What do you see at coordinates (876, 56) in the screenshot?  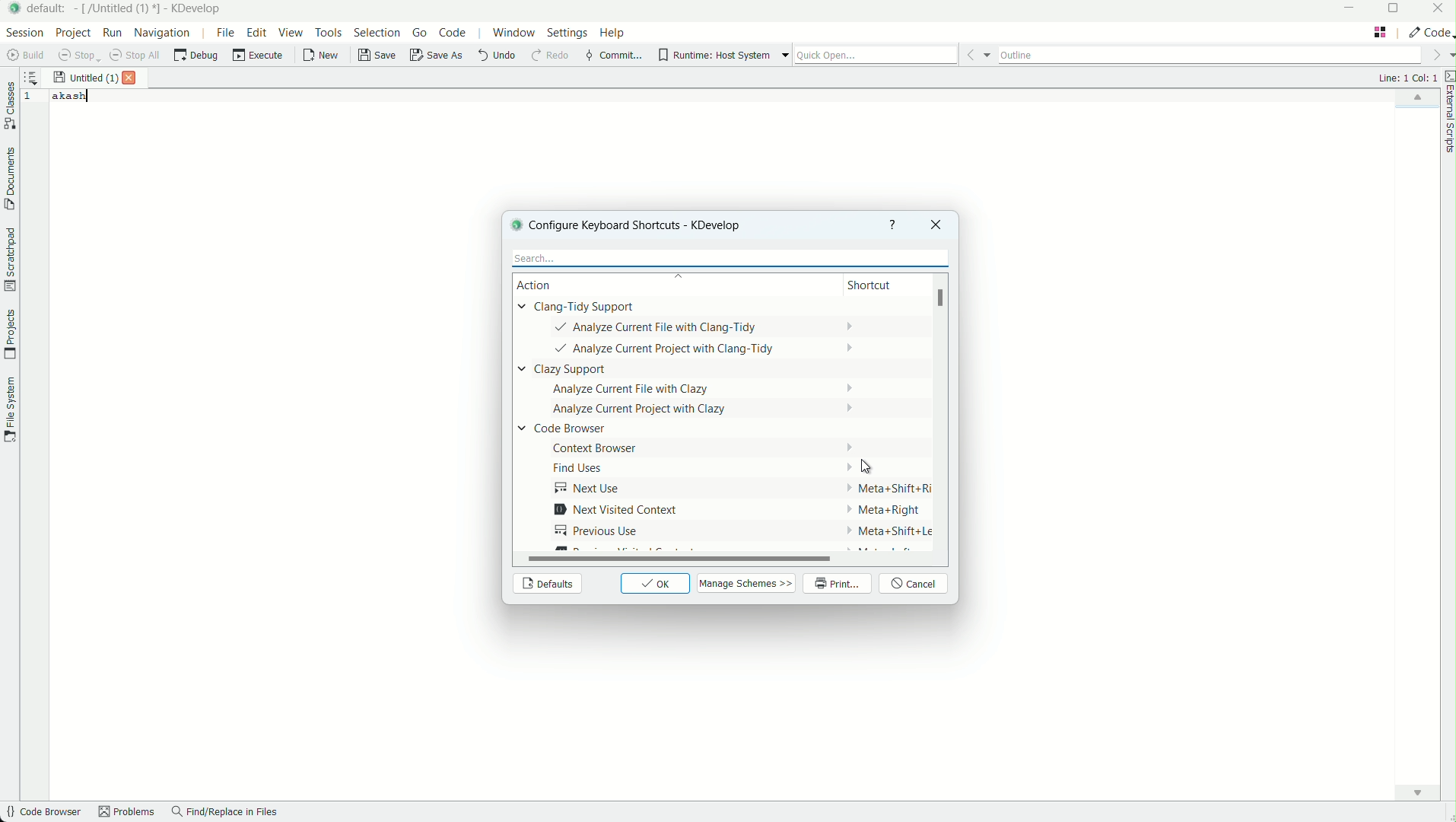 I see `quick open` at bounding box center [876, 56].